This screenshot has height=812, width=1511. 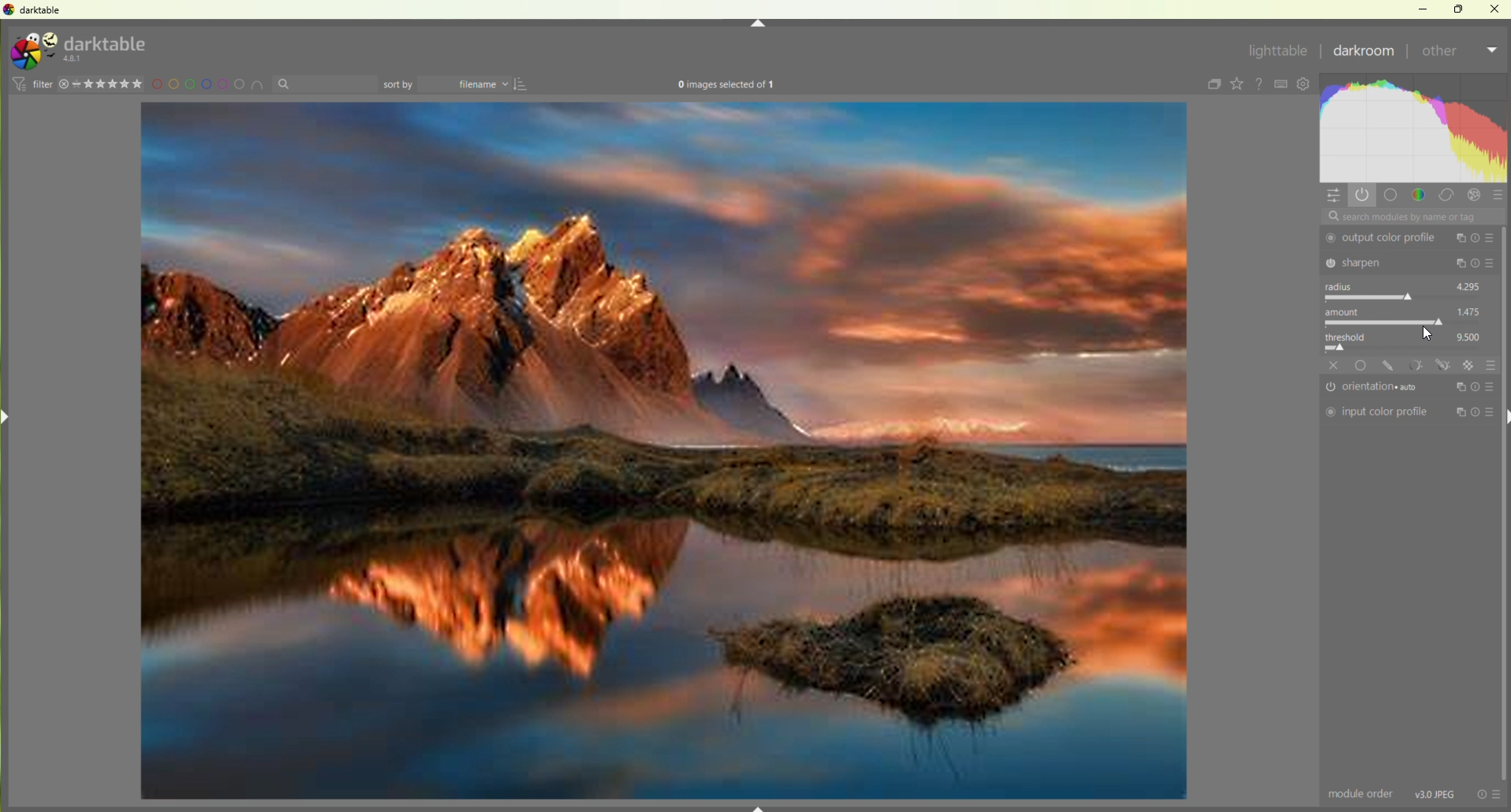 I want to click on Output color profile, so click(x=1384, y=238).